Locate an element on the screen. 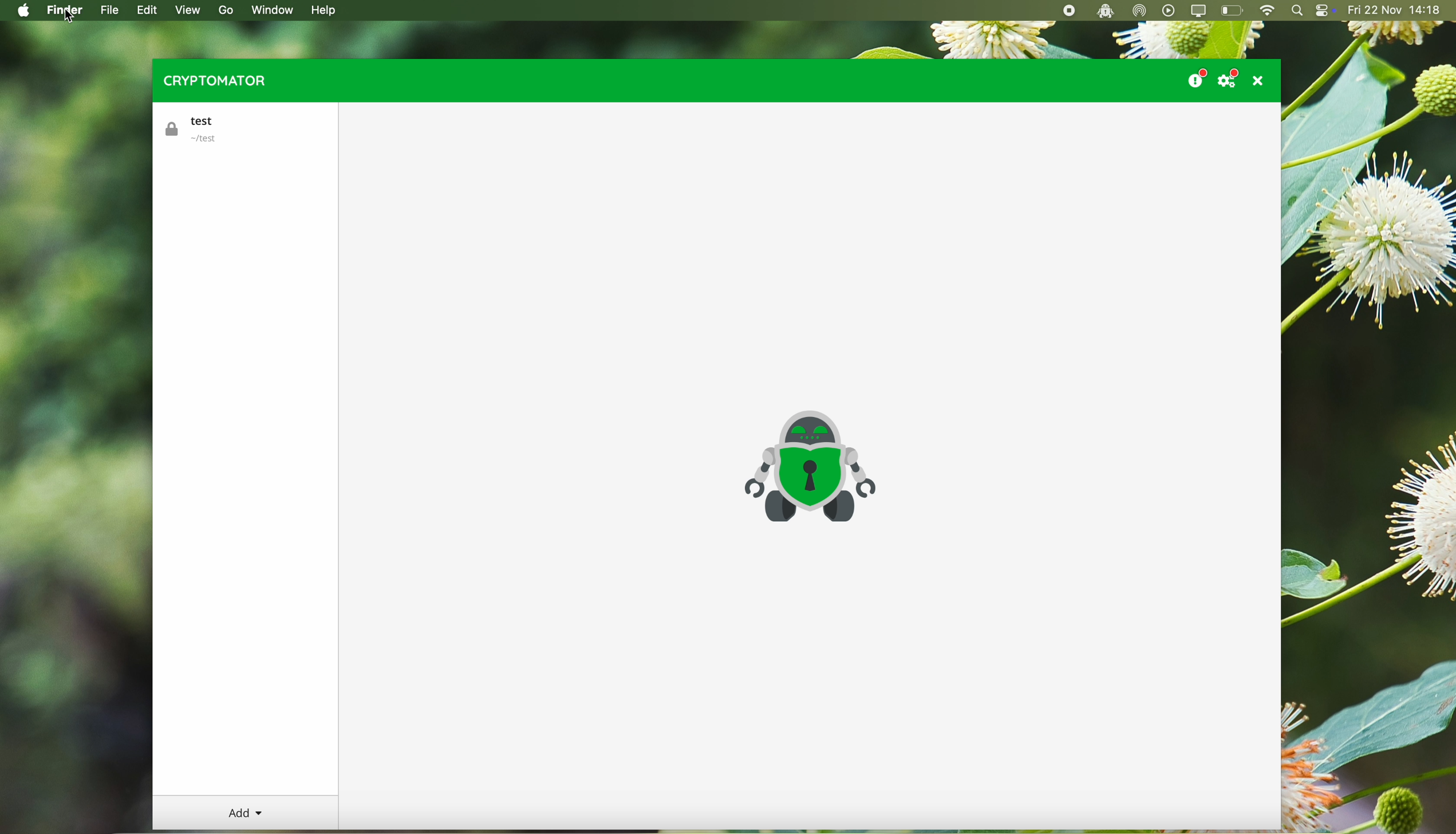 This screenshot has width=1456, height=834. window is located at coordinates (277, 9).